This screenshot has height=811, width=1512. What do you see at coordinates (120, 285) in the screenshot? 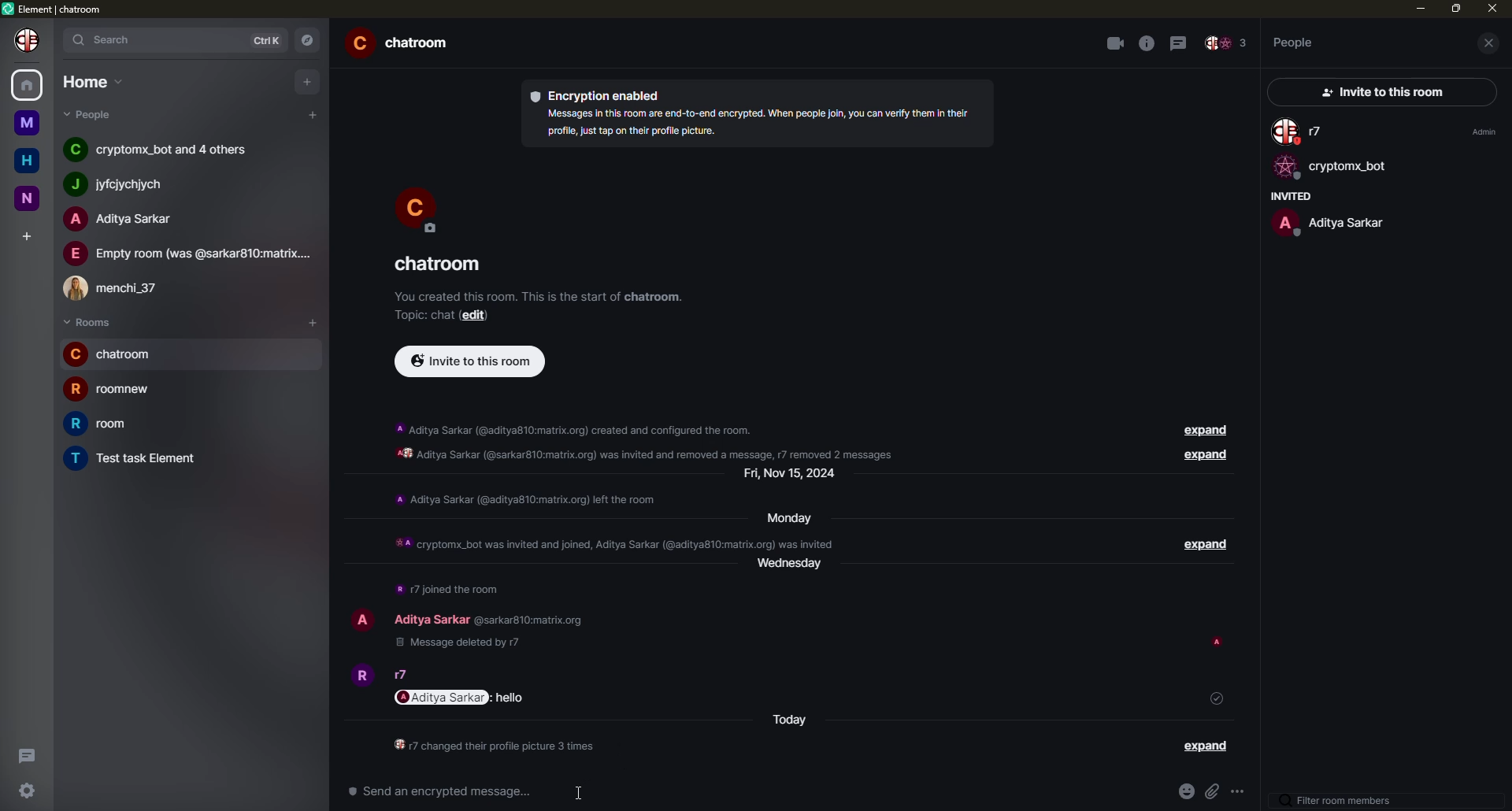
I see `people` at bounding box center [120, 285].